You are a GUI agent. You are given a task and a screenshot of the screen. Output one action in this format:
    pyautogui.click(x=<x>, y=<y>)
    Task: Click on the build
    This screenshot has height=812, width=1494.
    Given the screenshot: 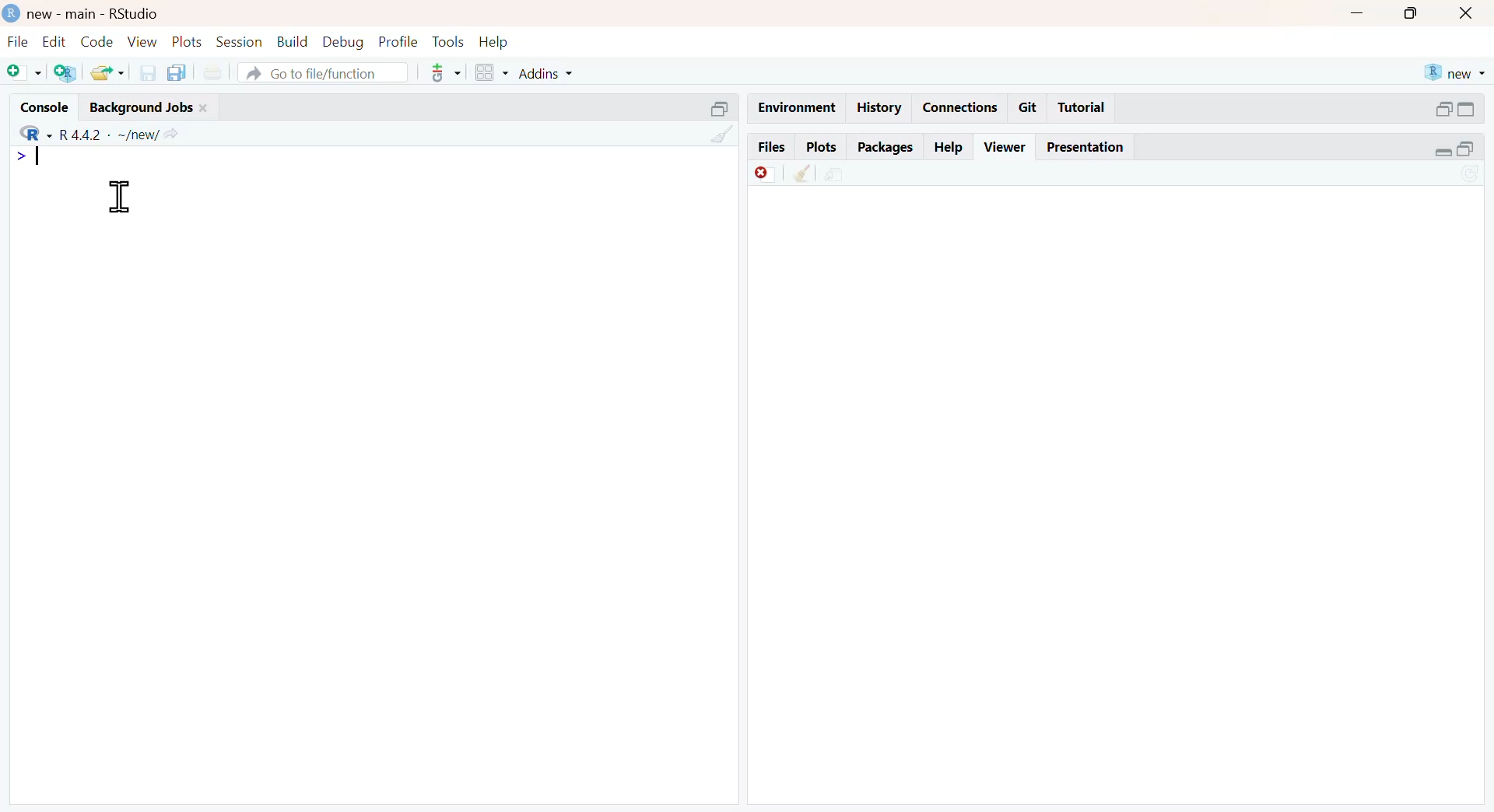 What is the action you would take?
    pyautogui.click(x=293, y=40)
    